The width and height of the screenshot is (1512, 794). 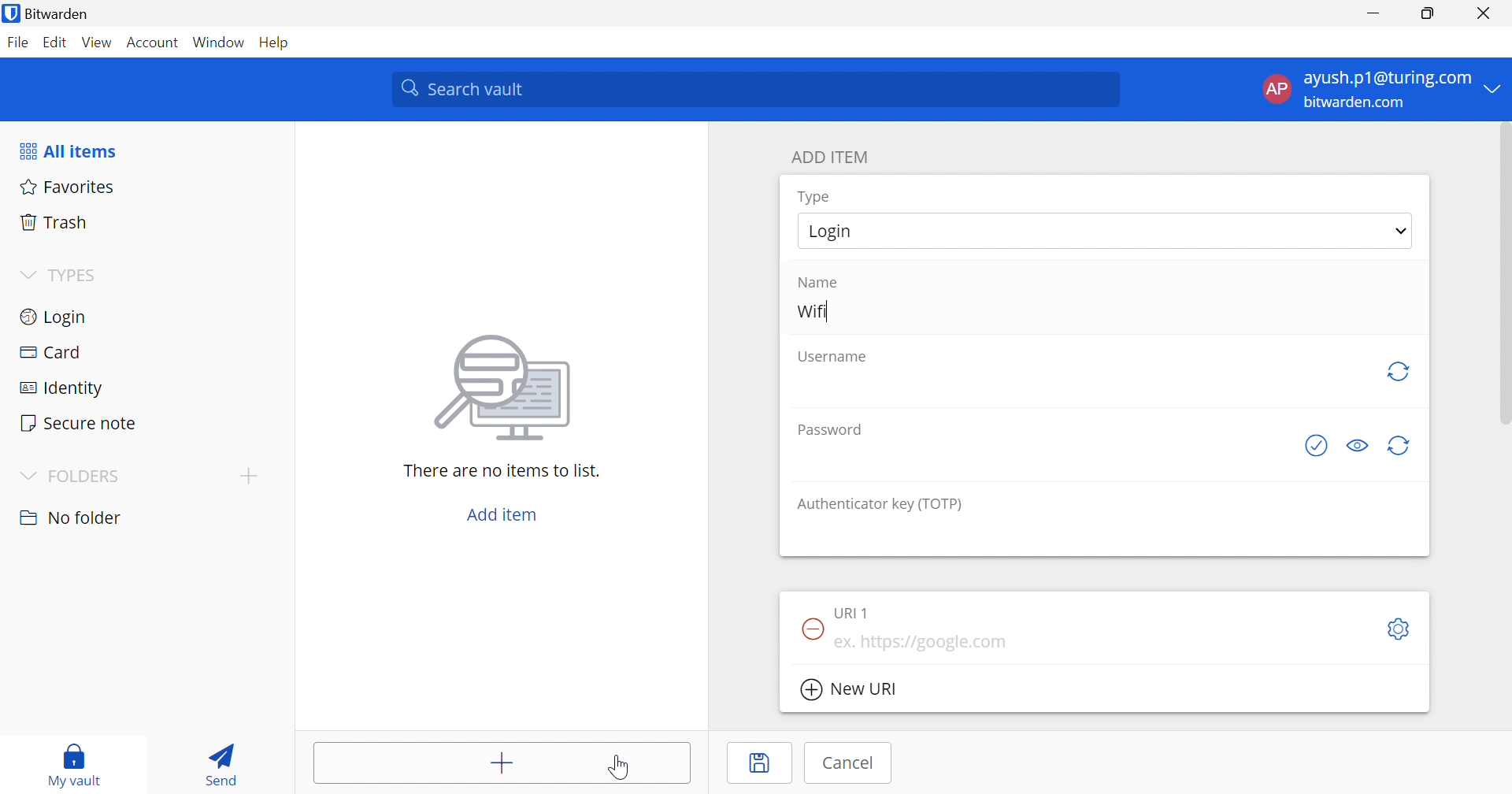 I want to click on All items, so click(x=67, y=151).